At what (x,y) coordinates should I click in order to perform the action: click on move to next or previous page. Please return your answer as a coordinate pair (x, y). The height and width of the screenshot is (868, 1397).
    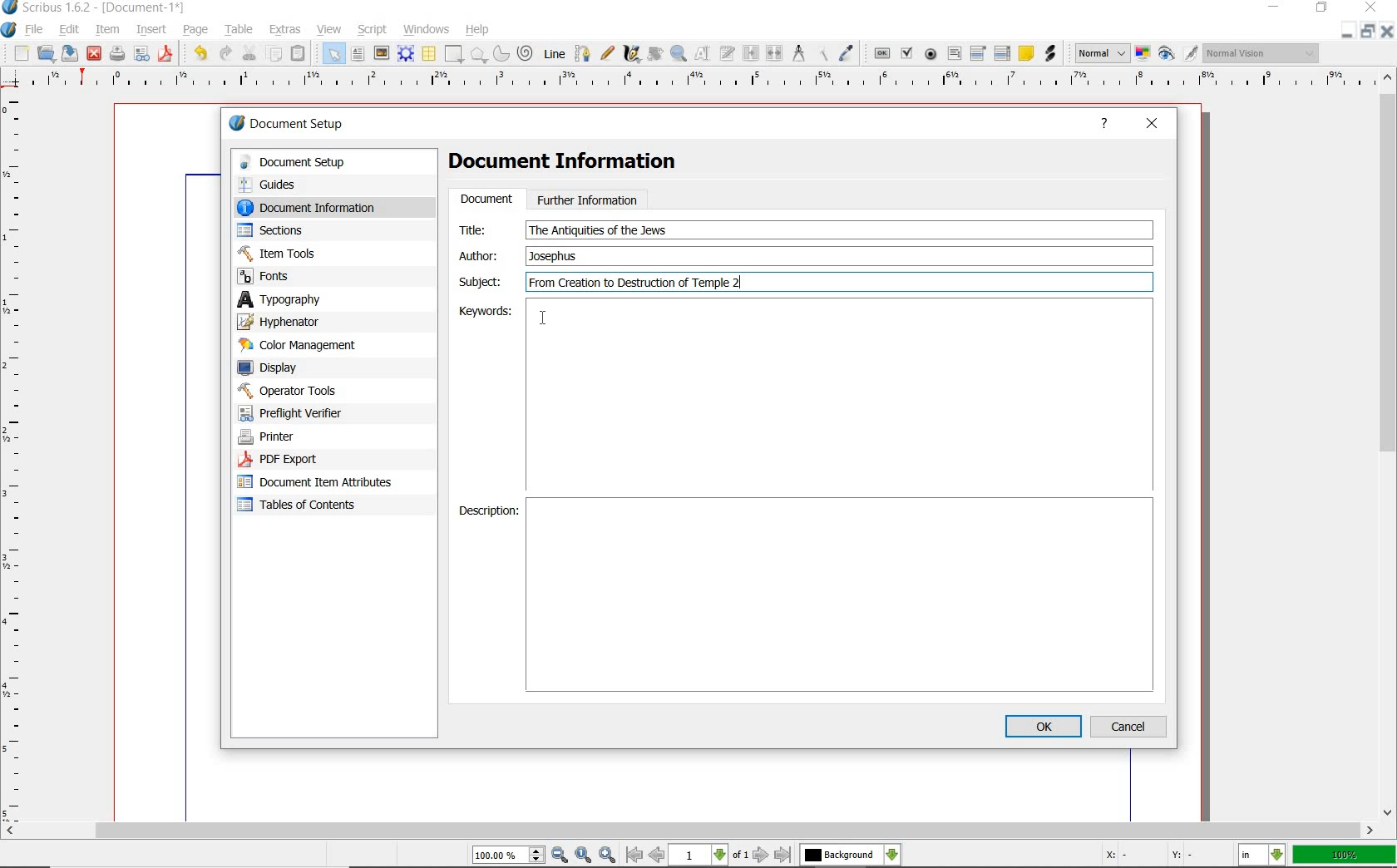
    Looking at the image, I should click on (710, 856).